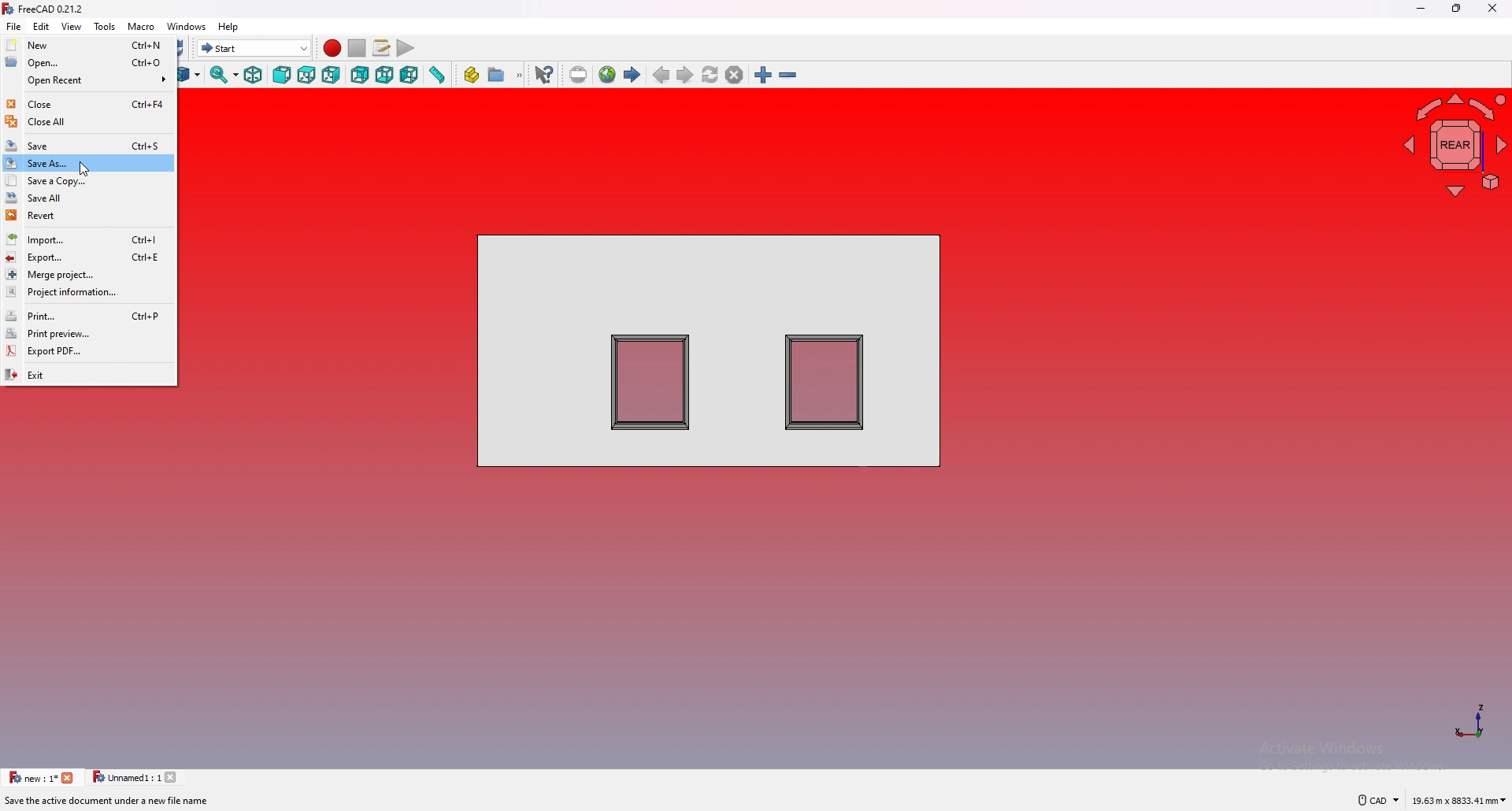  I want to click on edit, so click(42, 26).